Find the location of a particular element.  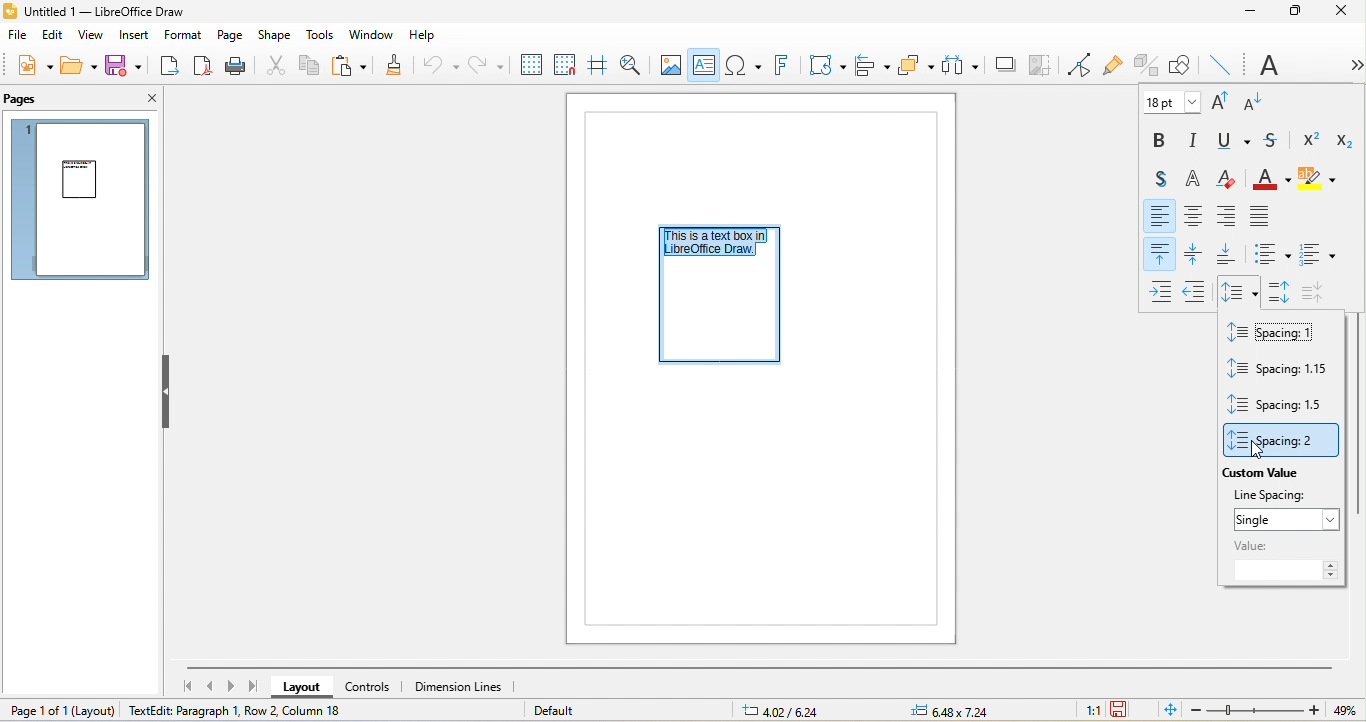

display to grids is located at coordinates (529, 65).